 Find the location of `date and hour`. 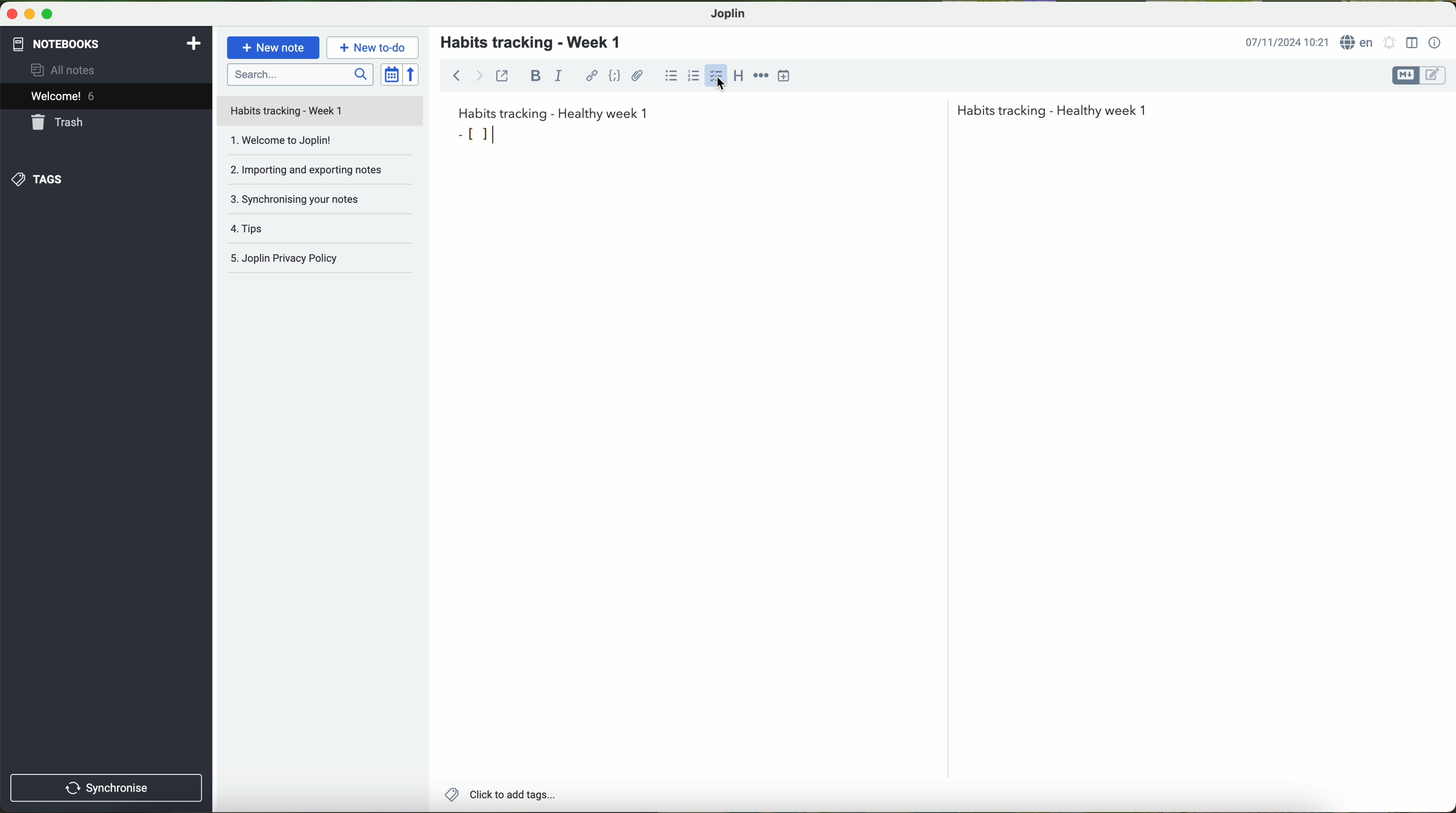

date and hour is located at coordinates (1287, 41).